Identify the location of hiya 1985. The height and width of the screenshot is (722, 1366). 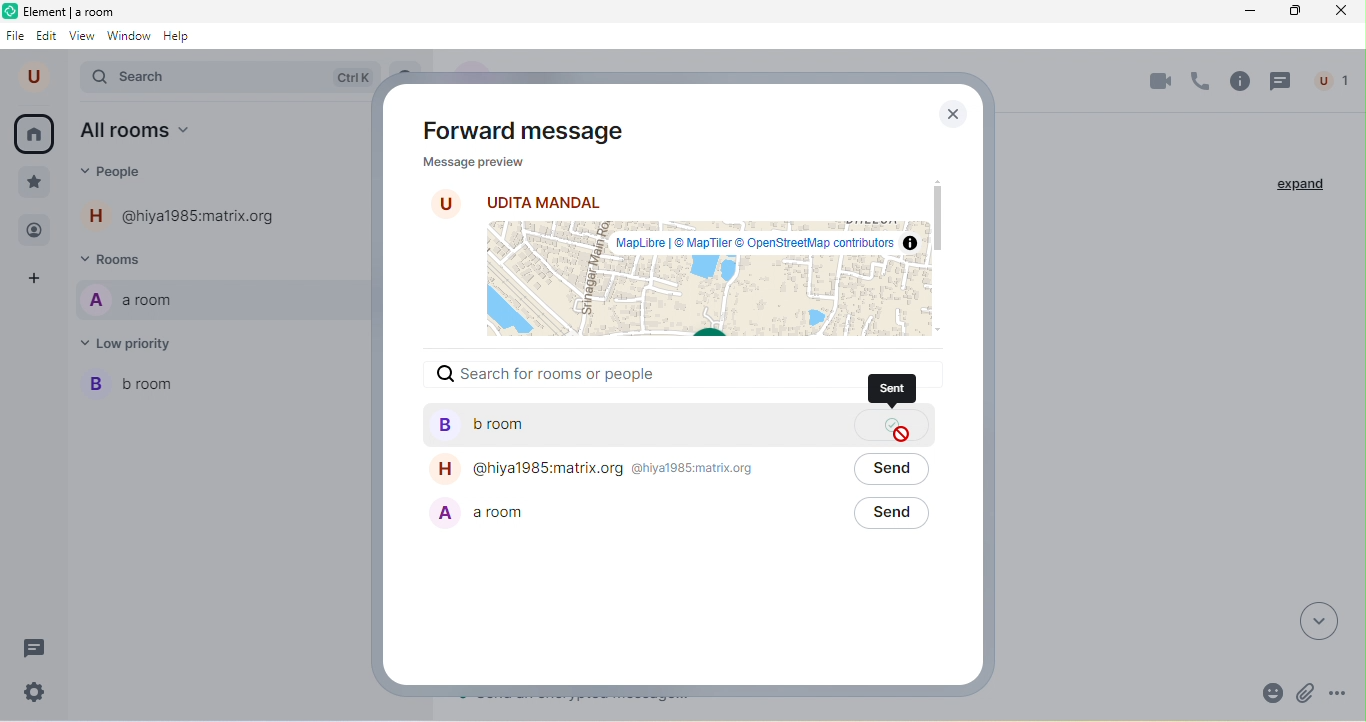
(183, 215).